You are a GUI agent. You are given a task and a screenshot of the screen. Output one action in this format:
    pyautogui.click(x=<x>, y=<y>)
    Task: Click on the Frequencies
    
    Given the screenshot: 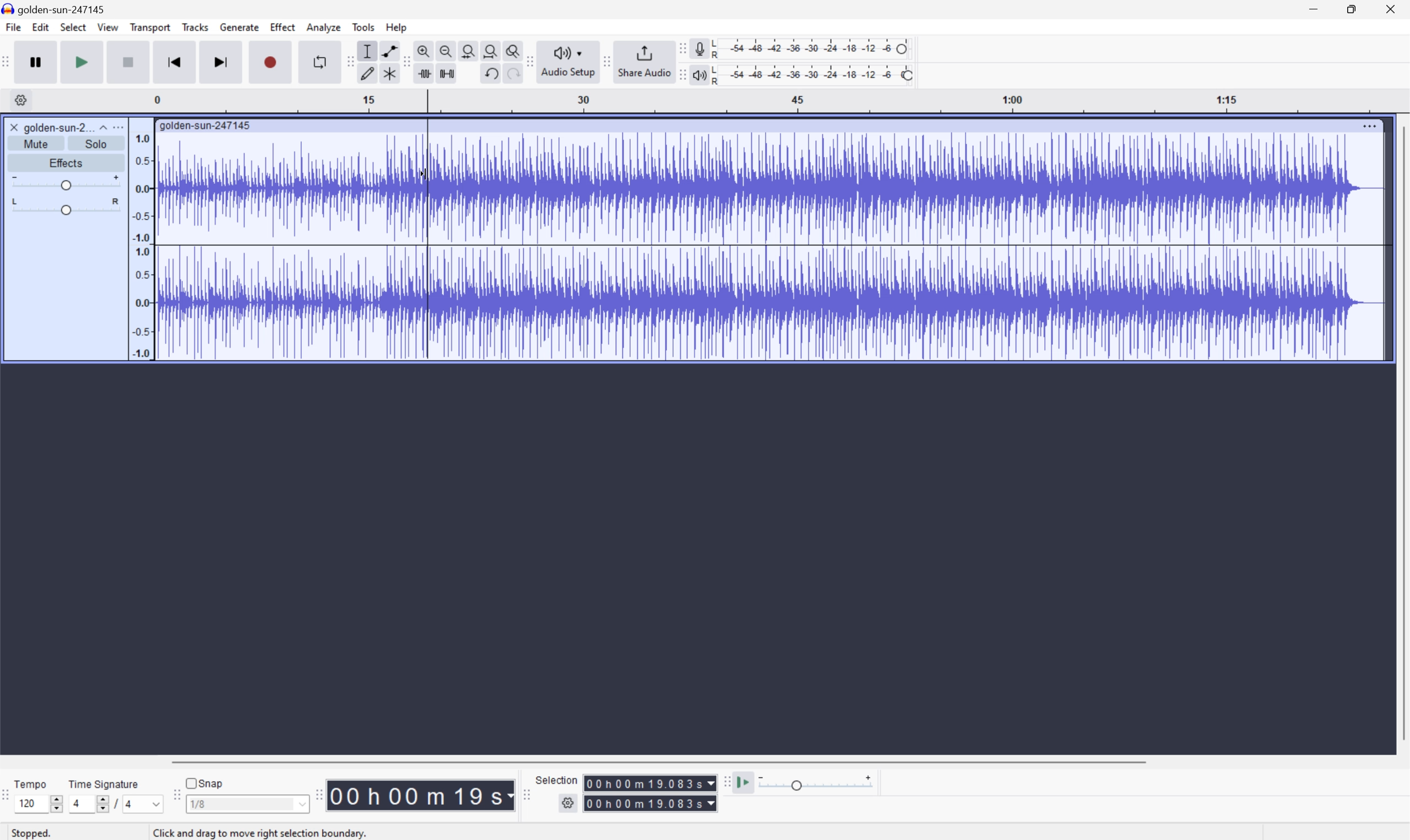 What is the action you would take?
    pyautogui.click(x=141, y=246)
    